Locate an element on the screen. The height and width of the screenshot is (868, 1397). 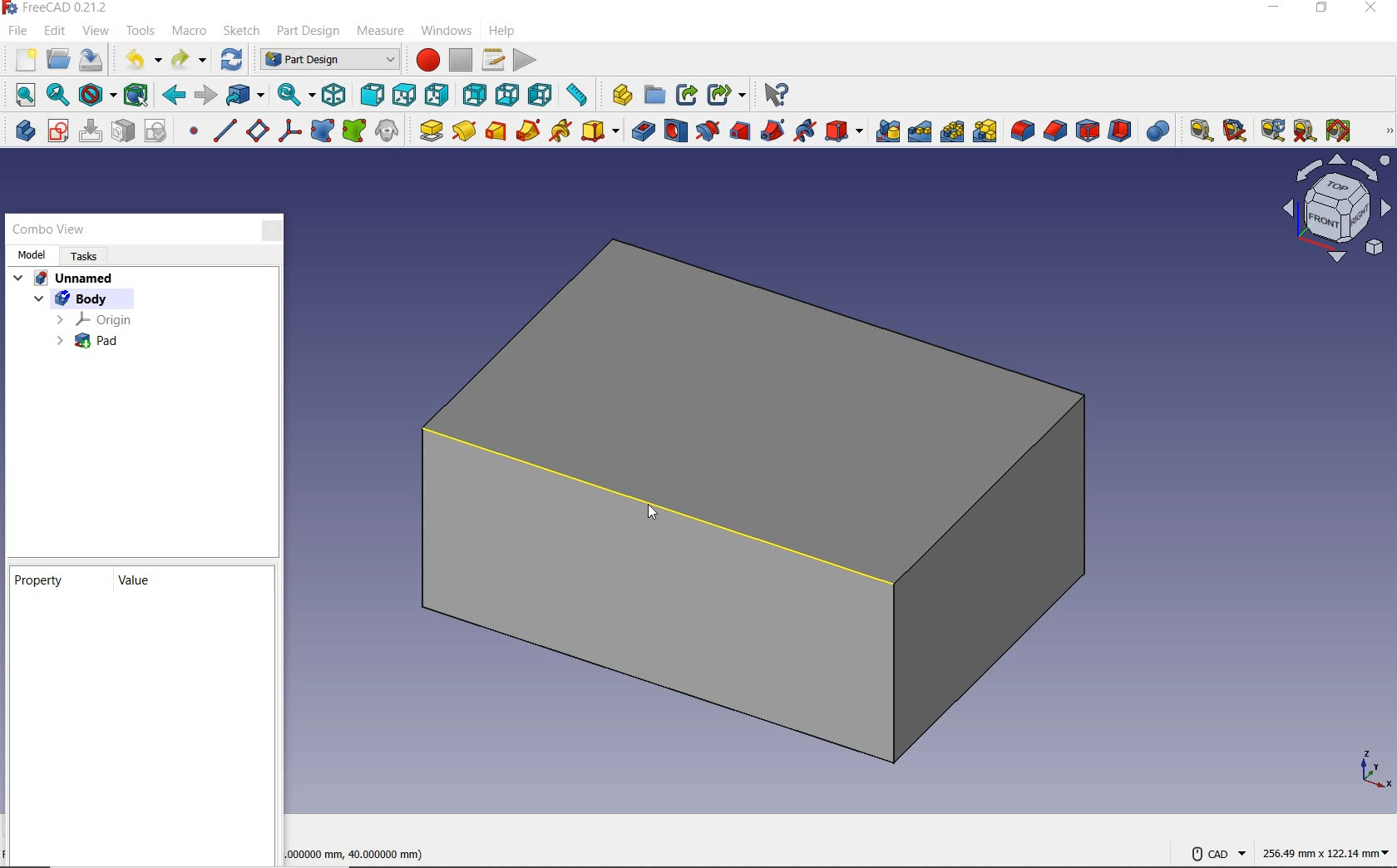
forward is located at coordinates (206, 96).